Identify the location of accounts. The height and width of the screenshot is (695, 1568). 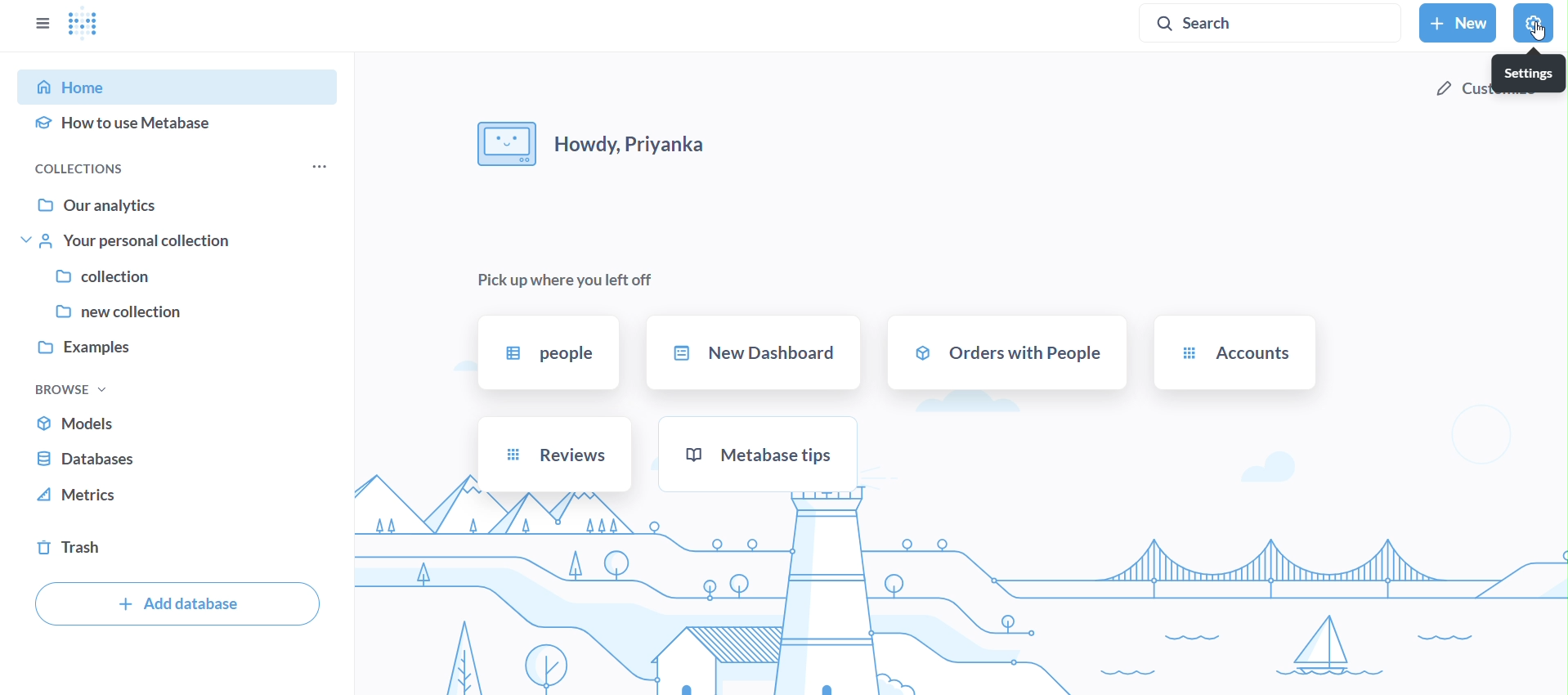
(1234, 353).